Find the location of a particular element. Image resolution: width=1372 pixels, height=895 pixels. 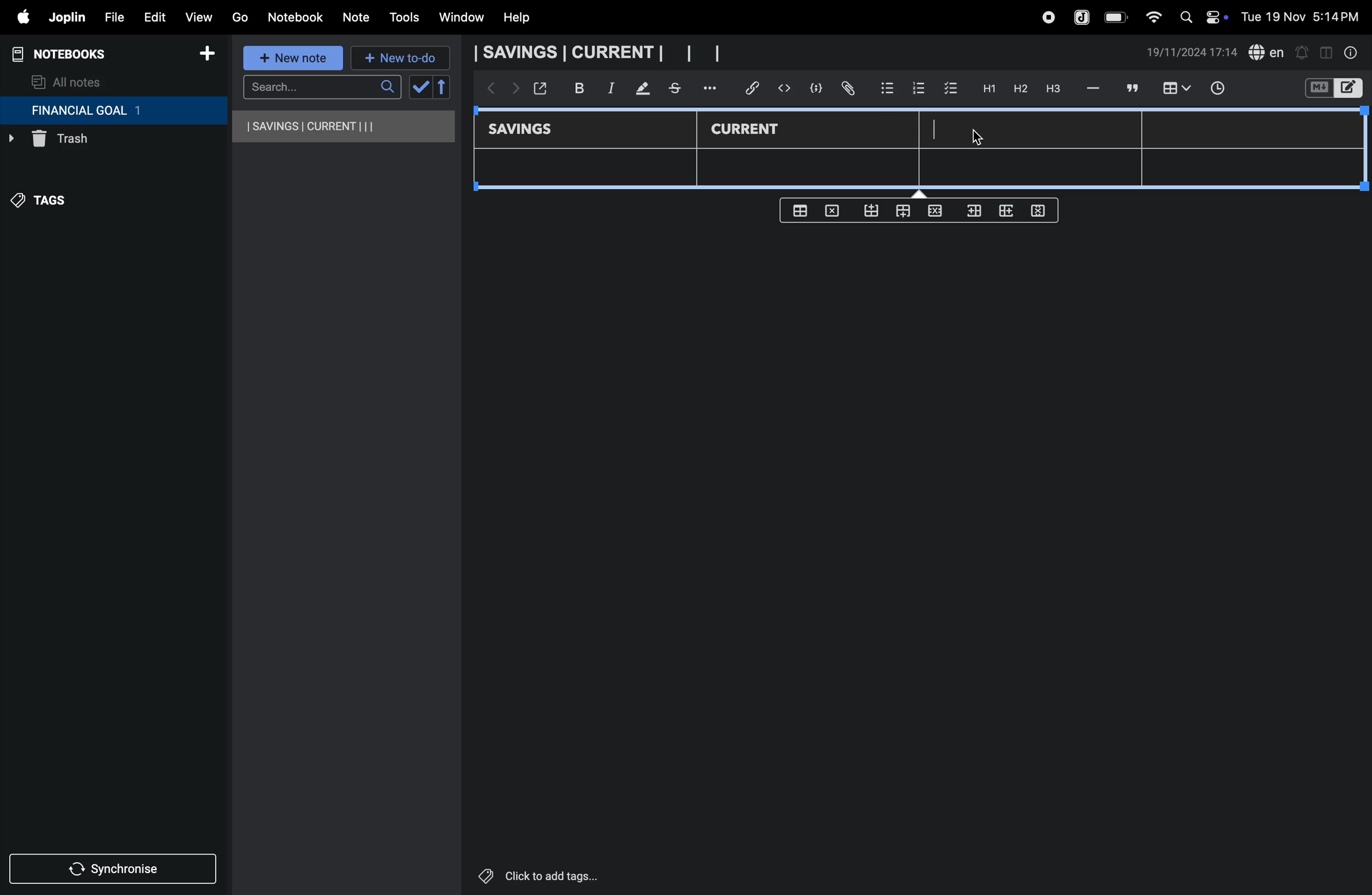

synchronize is located at coordinates (114, 867).